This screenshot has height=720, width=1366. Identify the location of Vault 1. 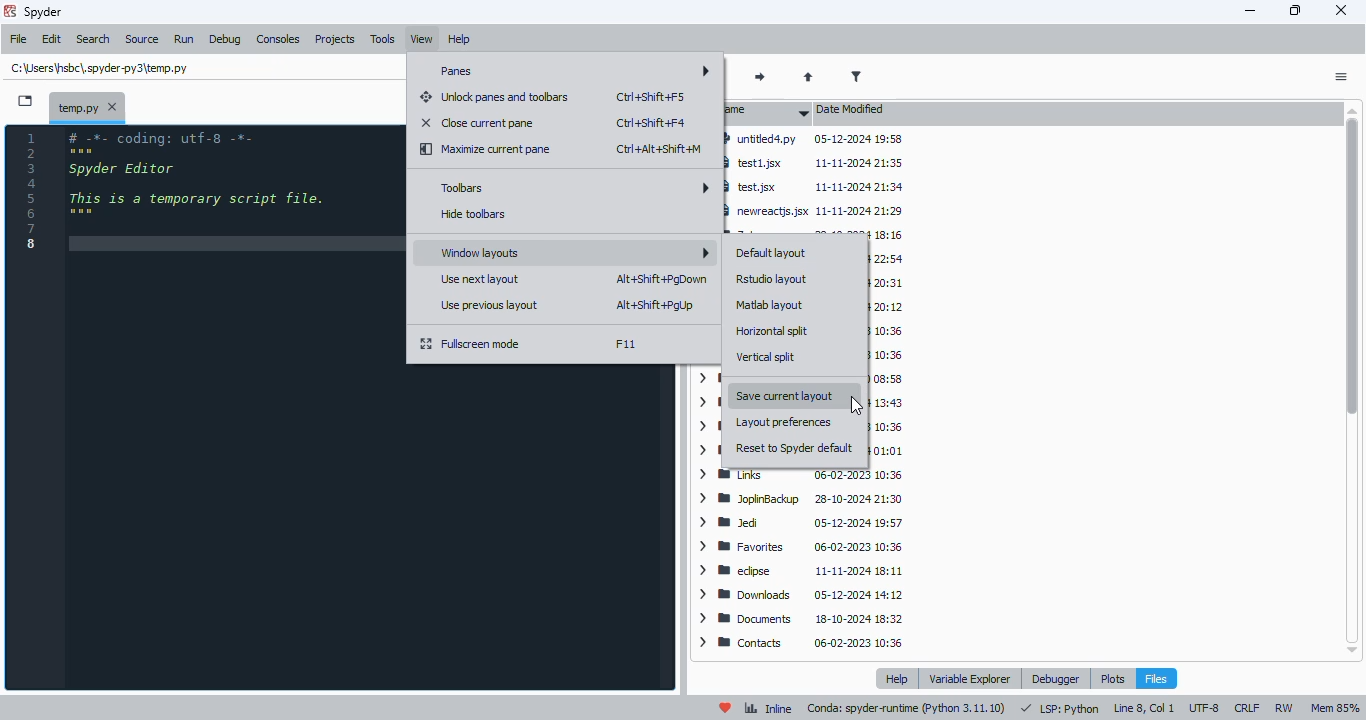
(885, 306).